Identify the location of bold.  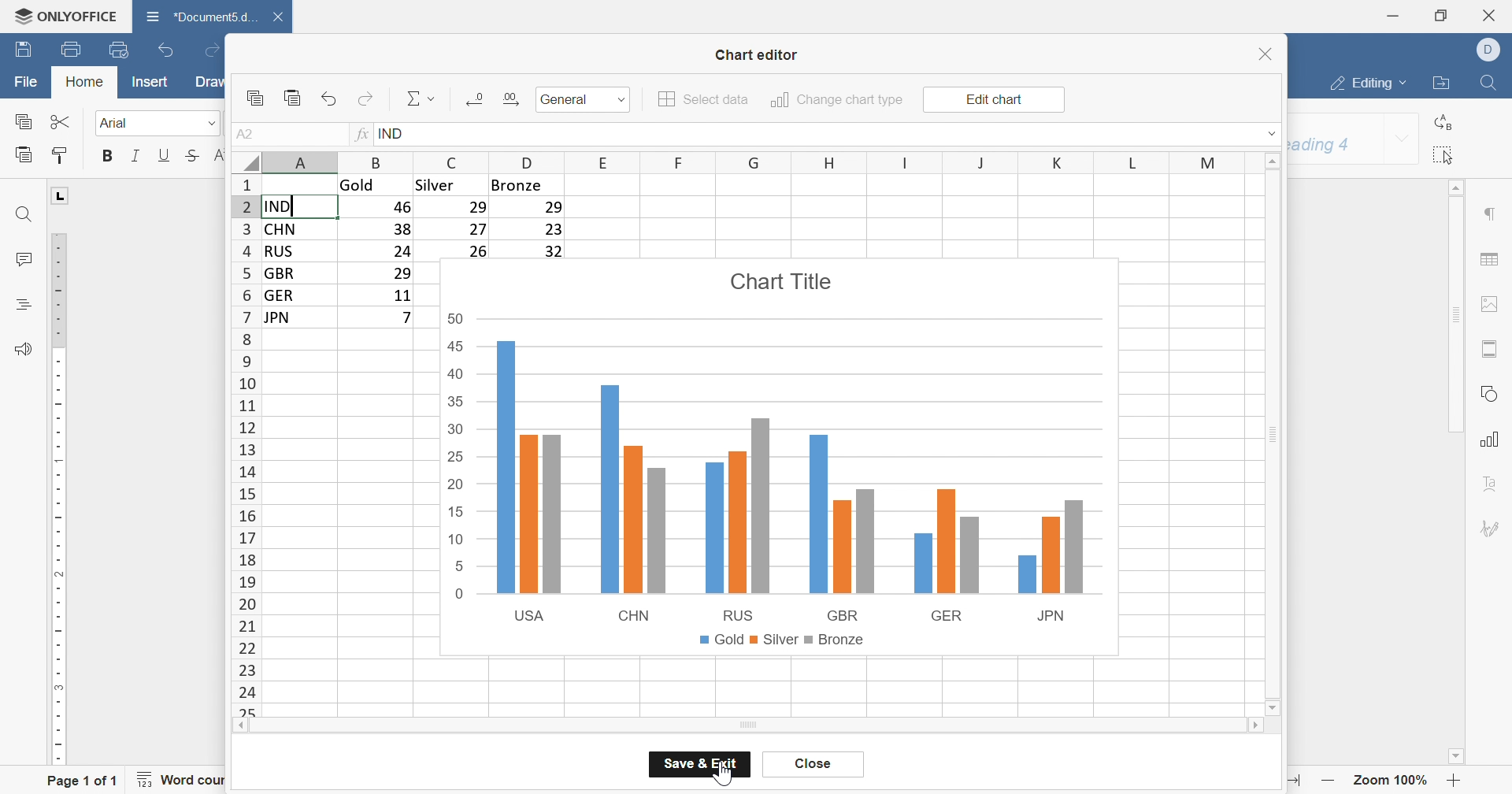
(109, 155).